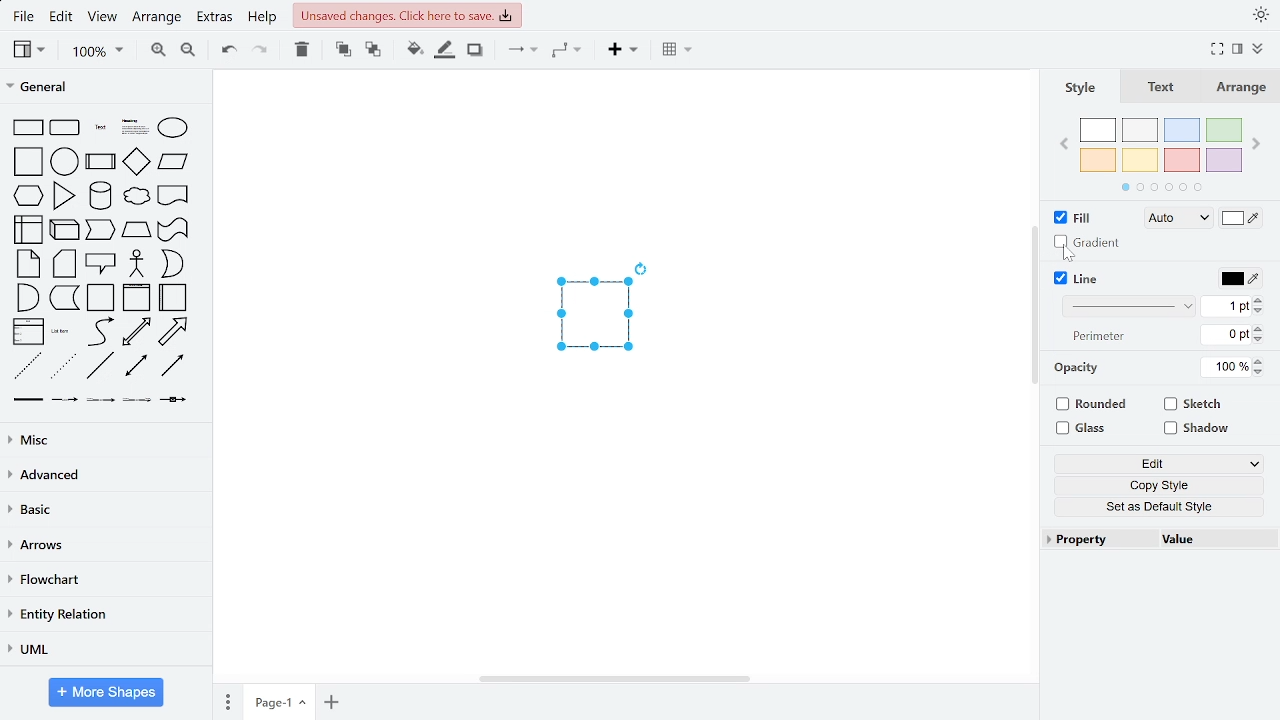 This screenshot has height=720, width=1280. Describe the element at coordinates (26, 296) in the screenshot. I see `general shapes` at that location.